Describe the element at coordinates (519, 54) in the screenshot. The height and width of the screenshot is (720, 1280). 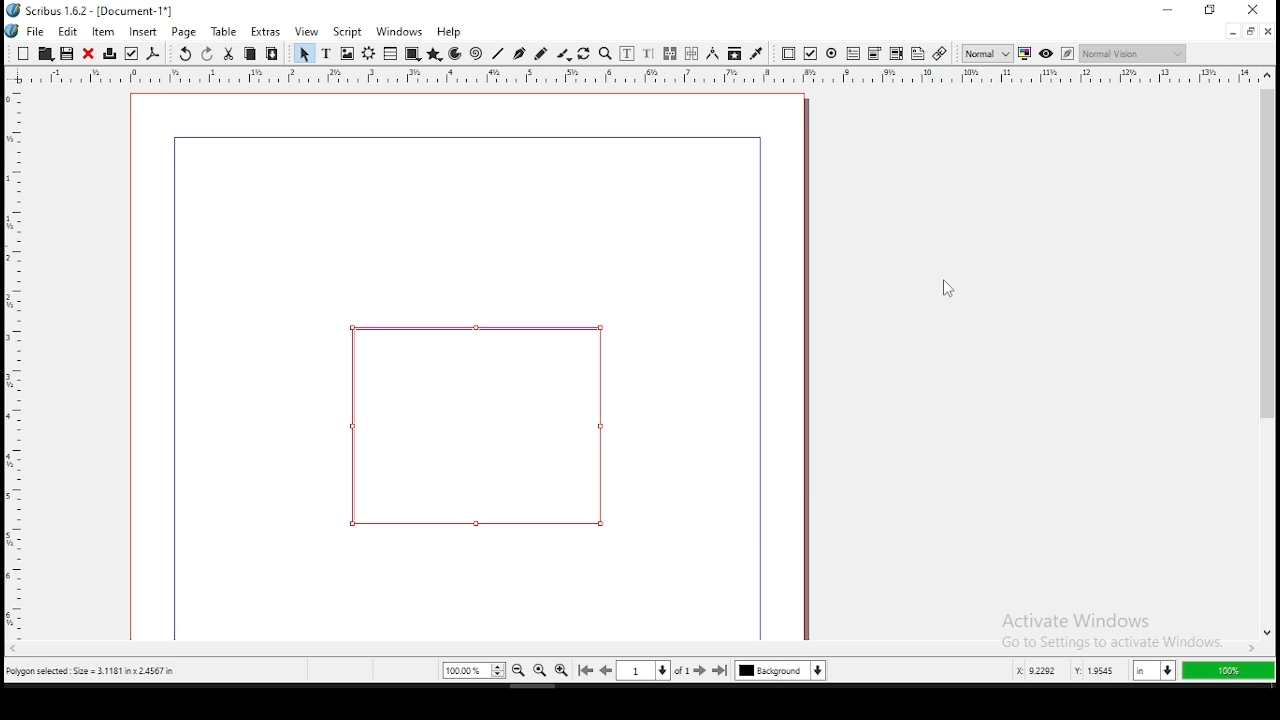
I see `bezier curve` at that location.